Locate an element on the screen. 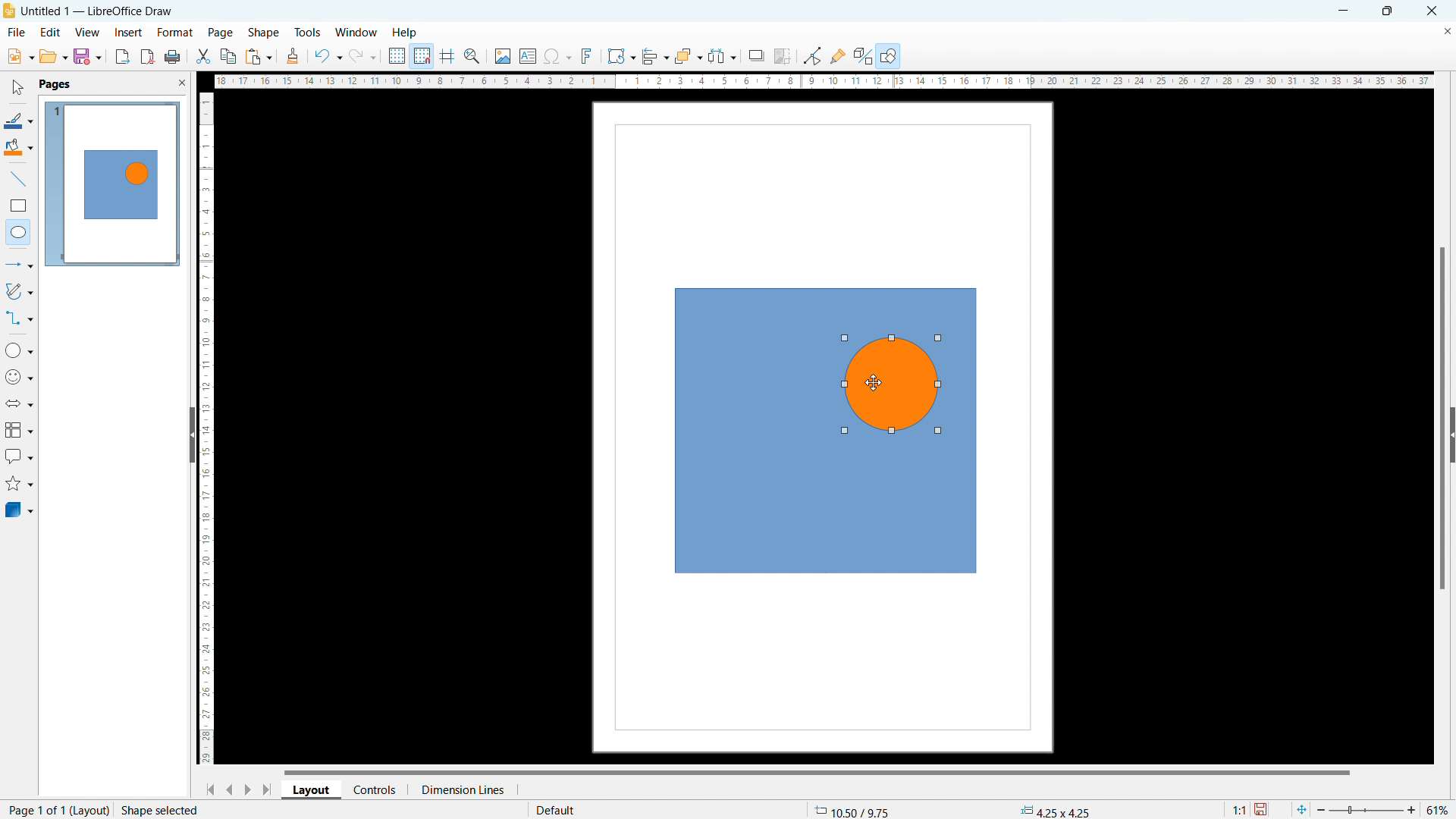 The height and width of the screenshot is (819, 1456). horizontal scrollbar is located at coordinates (817, 771).